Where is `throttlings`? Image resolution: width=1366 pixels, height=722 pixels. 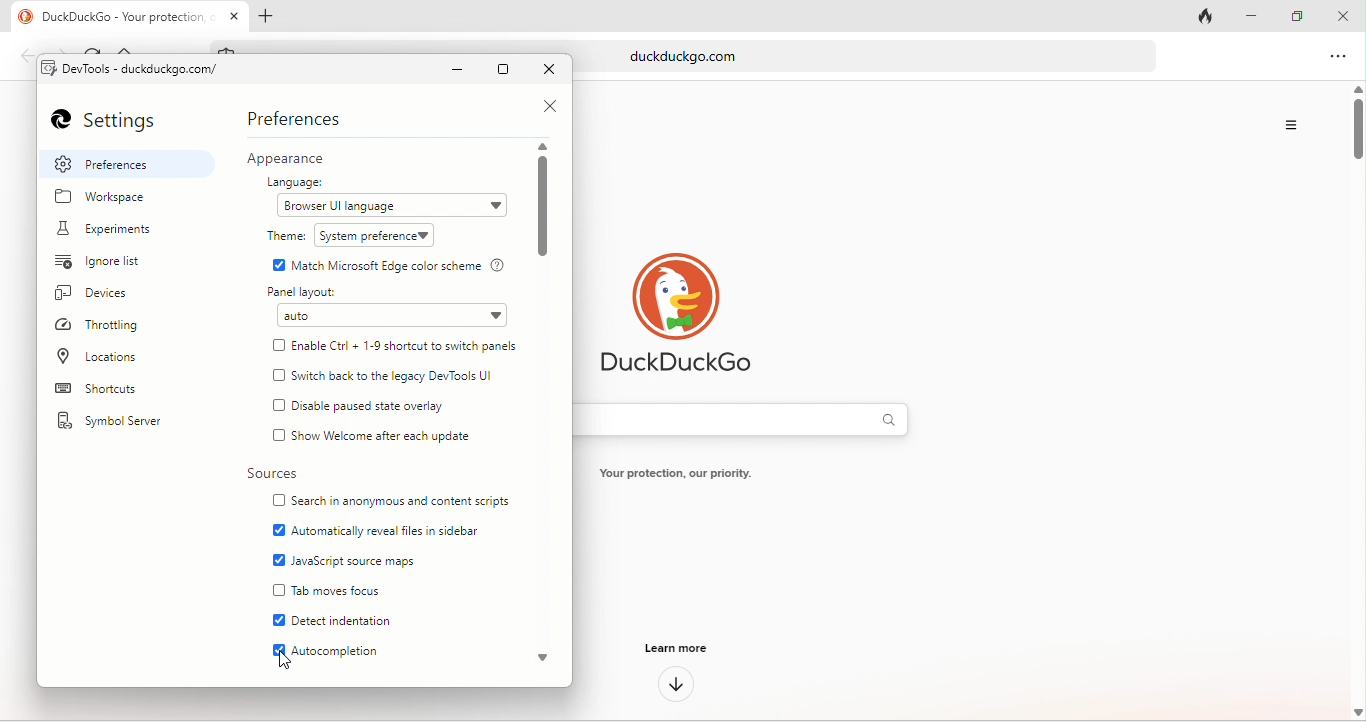 throttlings is located at coordinates (109, 326).